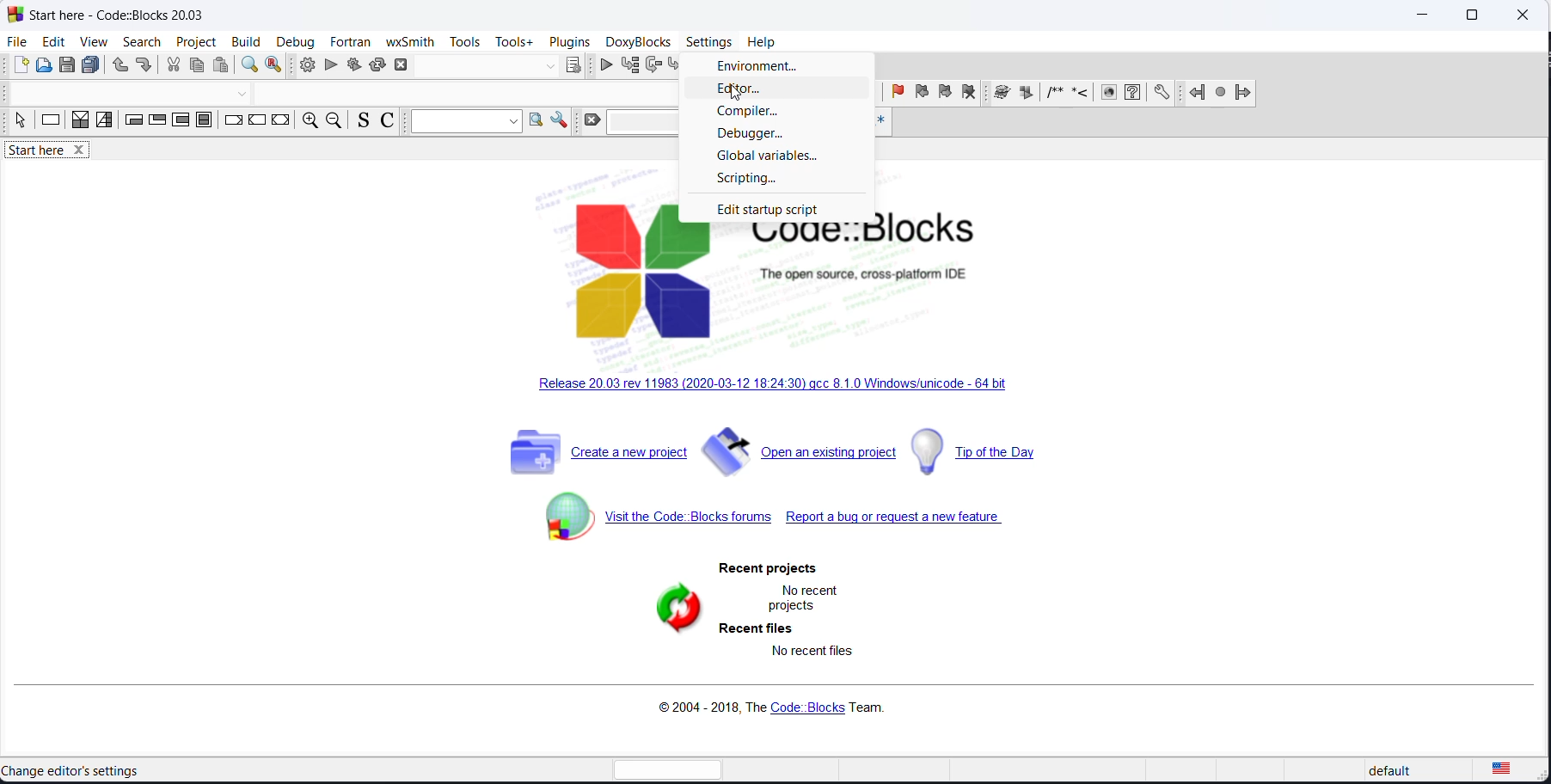 This screenshot has height=784, width=1551. What do you see at coordinates (89, 40) in the screenshot?
I see `view` at bounding box center [89, 40].